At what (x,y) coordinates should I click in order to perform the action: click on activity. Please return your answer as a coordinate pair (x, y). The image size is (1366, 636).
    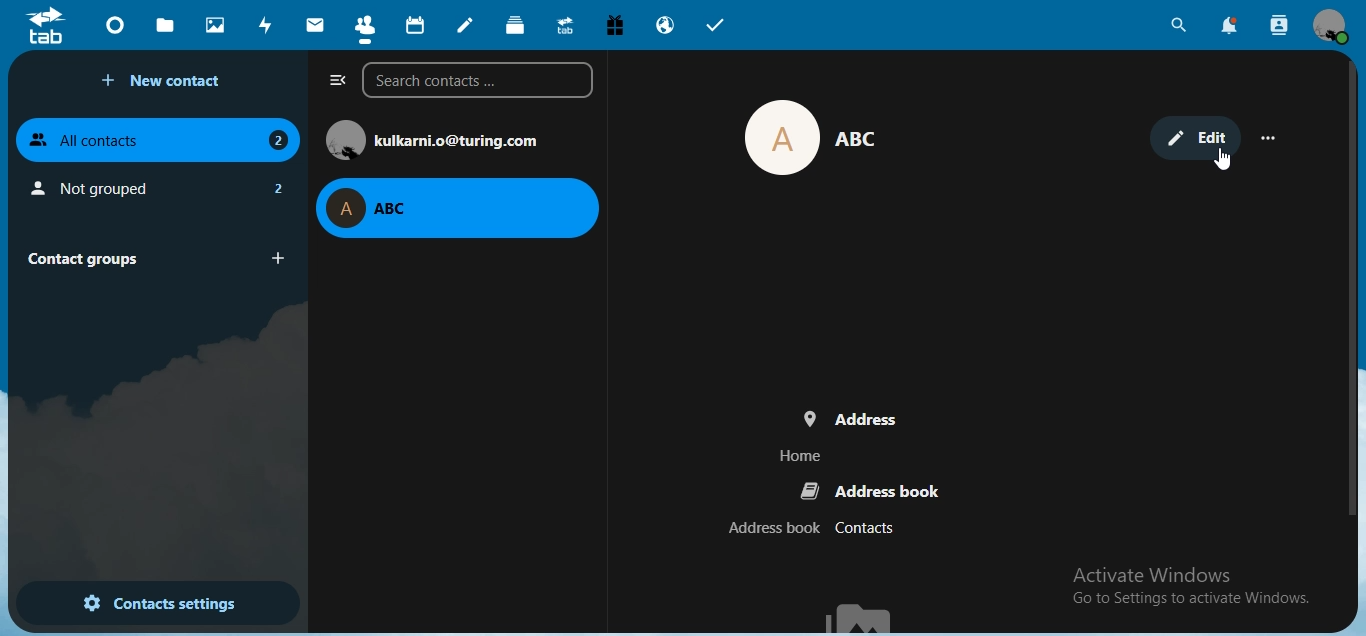
    Looking at the image, I should click on (265, 25).